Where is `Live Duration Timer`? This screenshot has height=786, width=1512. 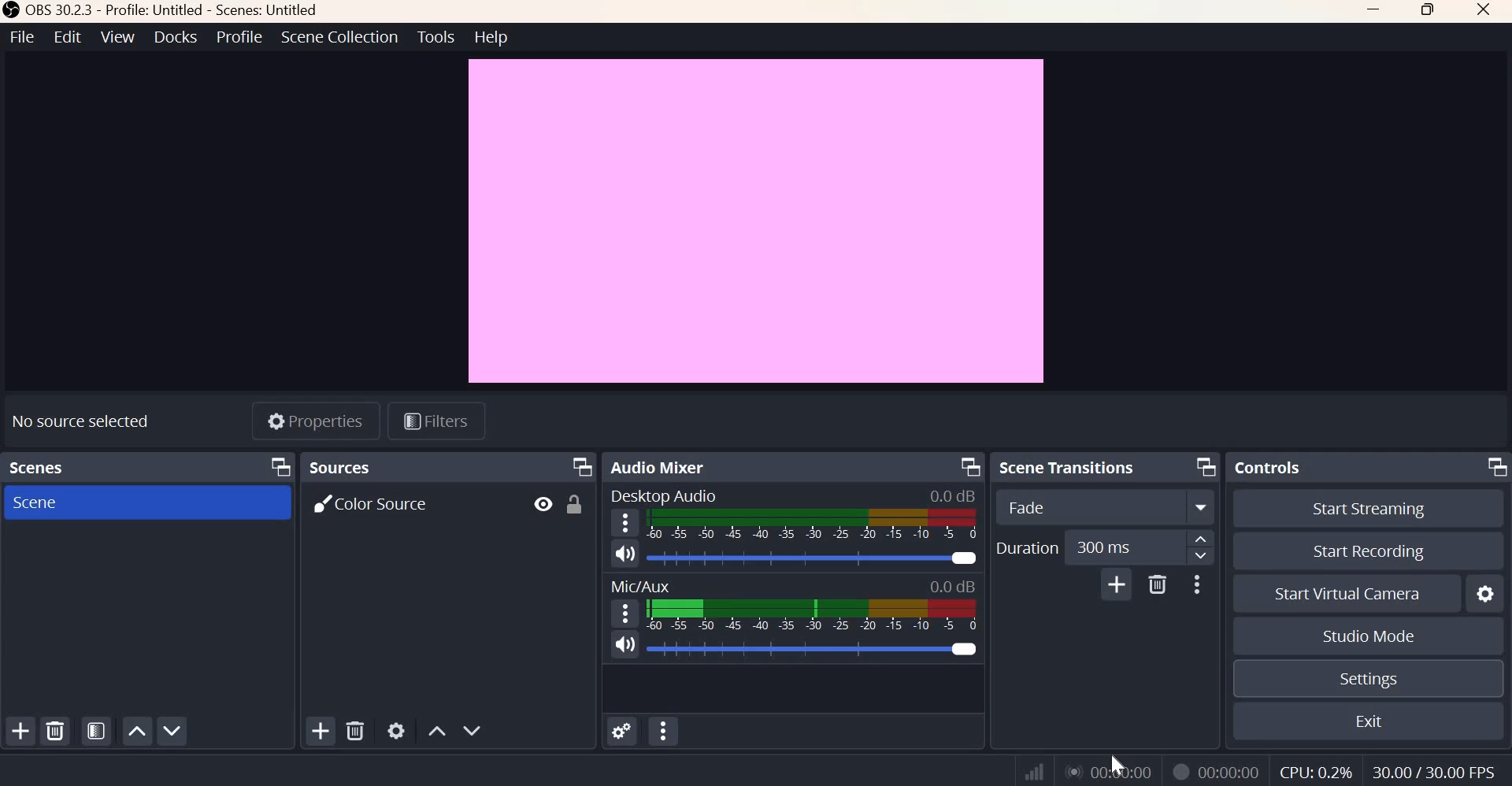 Live Duration Timer is located at coordinates (1109, 772).